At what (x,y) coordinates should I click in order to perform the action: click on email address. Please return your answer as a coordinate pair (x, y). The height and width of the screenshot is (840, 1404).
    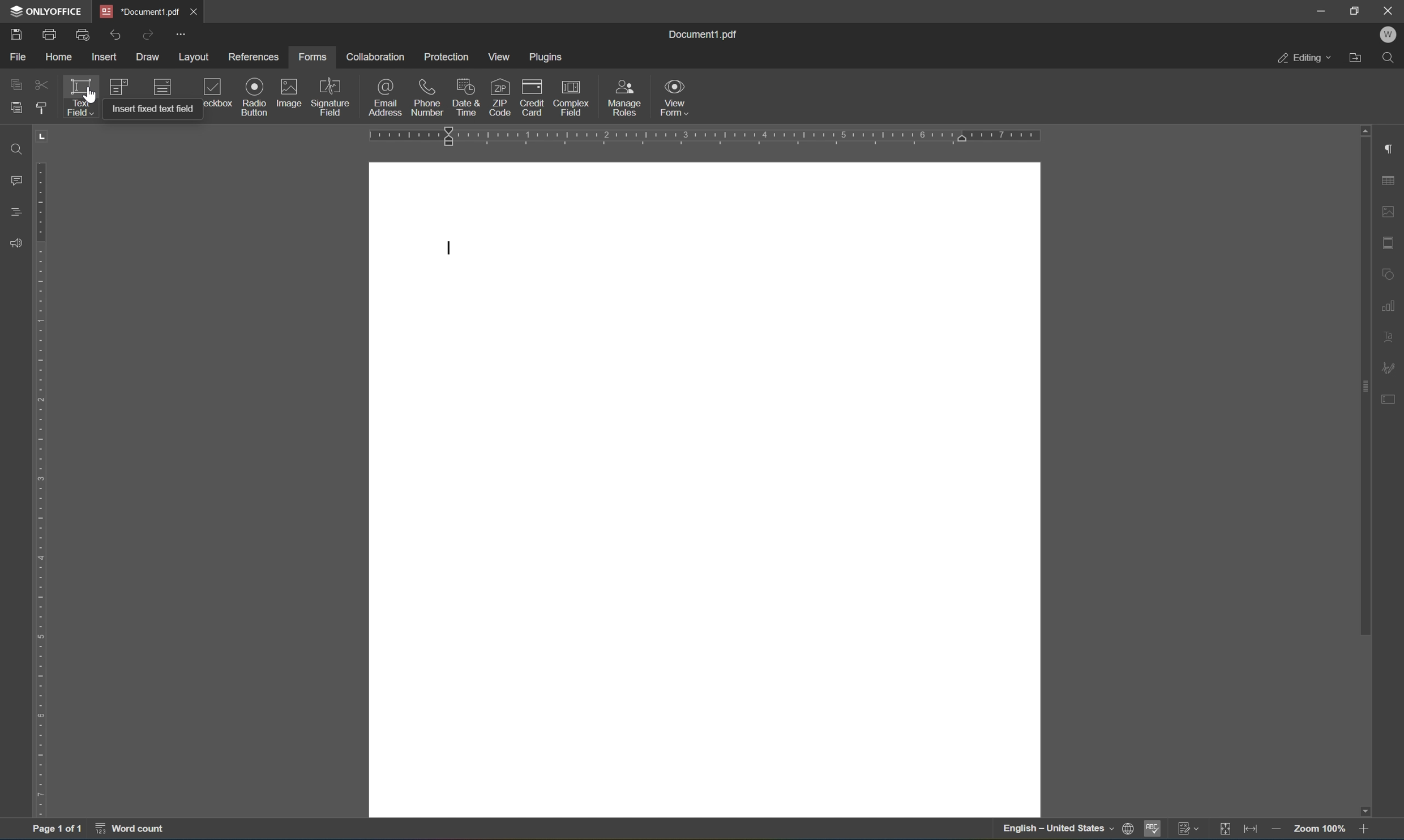
    Looking at the image, I should click on (384, 98).